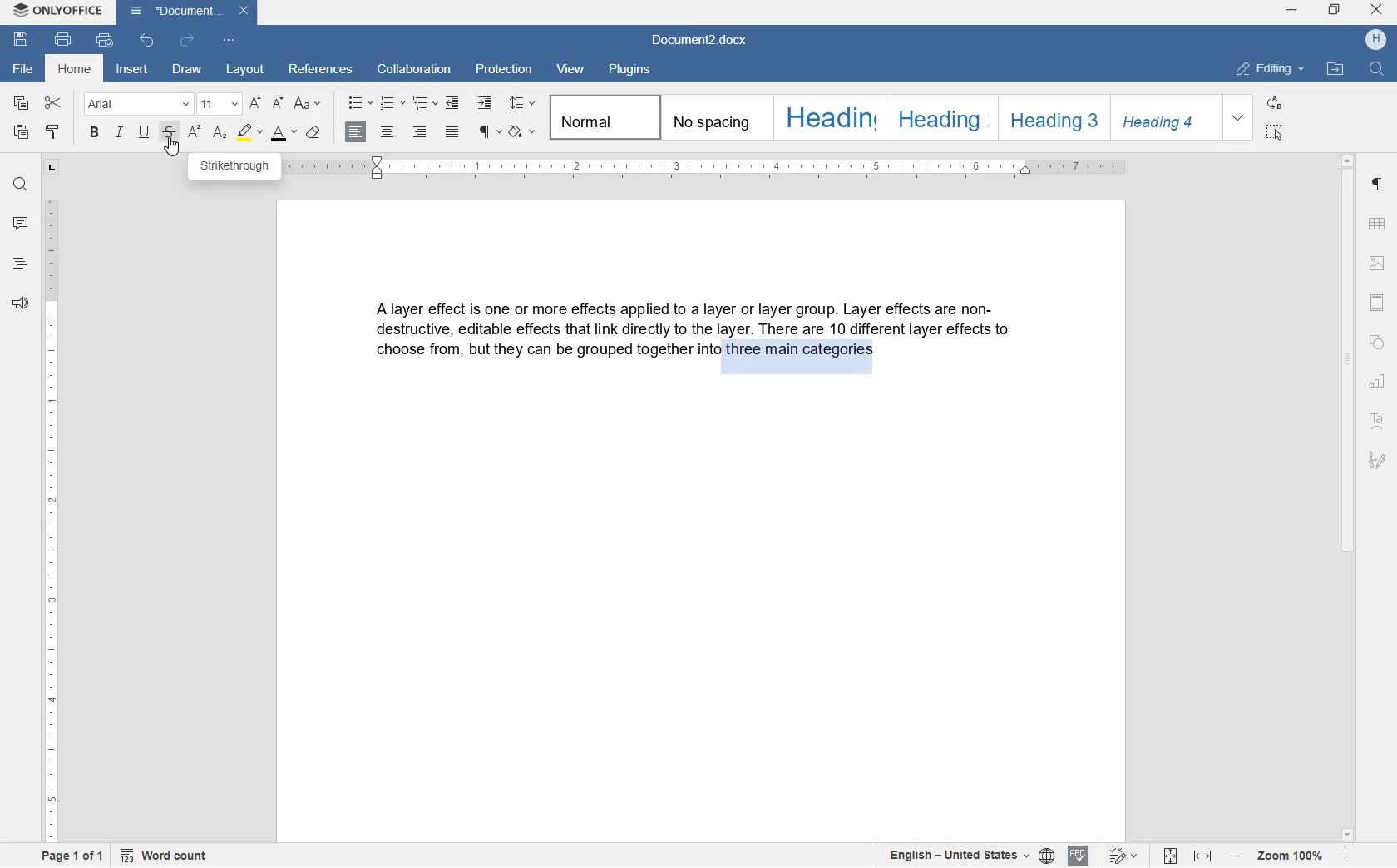 This screenshot has height=868, width=1397. Describe the element at coordinates (285, 134) in the screenshot. I see `font color ` at that location.